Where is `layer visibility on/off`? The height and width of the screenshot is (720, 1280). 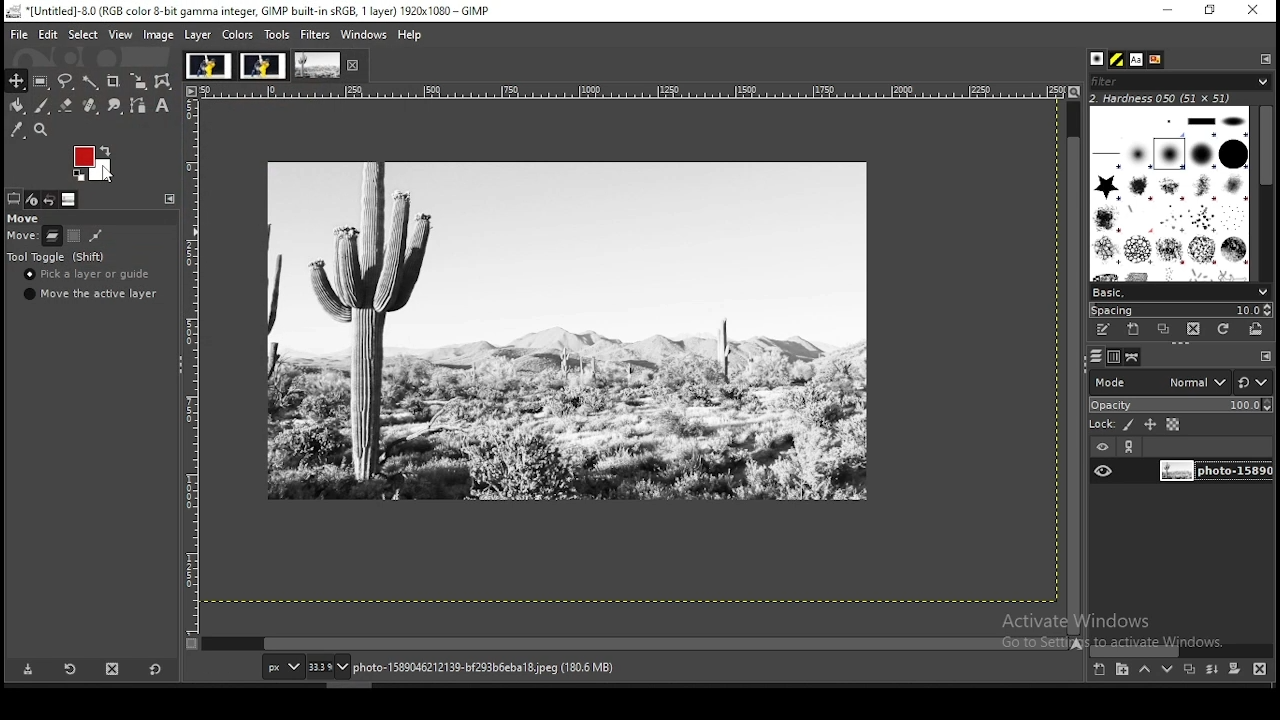
layer visibility on/off is located at coordinates (1103, 472).